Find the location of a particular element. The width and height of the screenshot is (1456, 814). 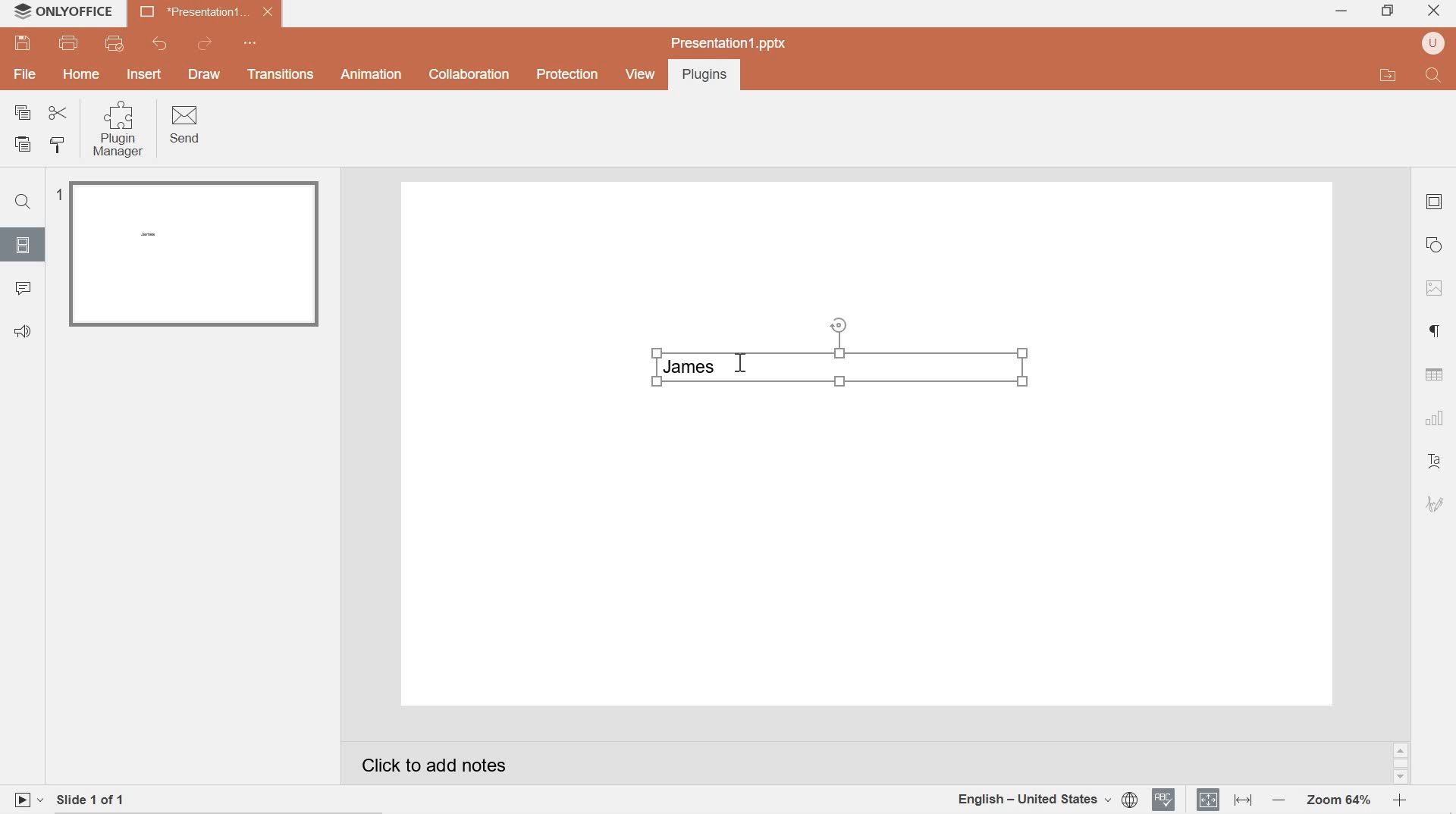

Click to add notes is located at coordinates (454, 761).